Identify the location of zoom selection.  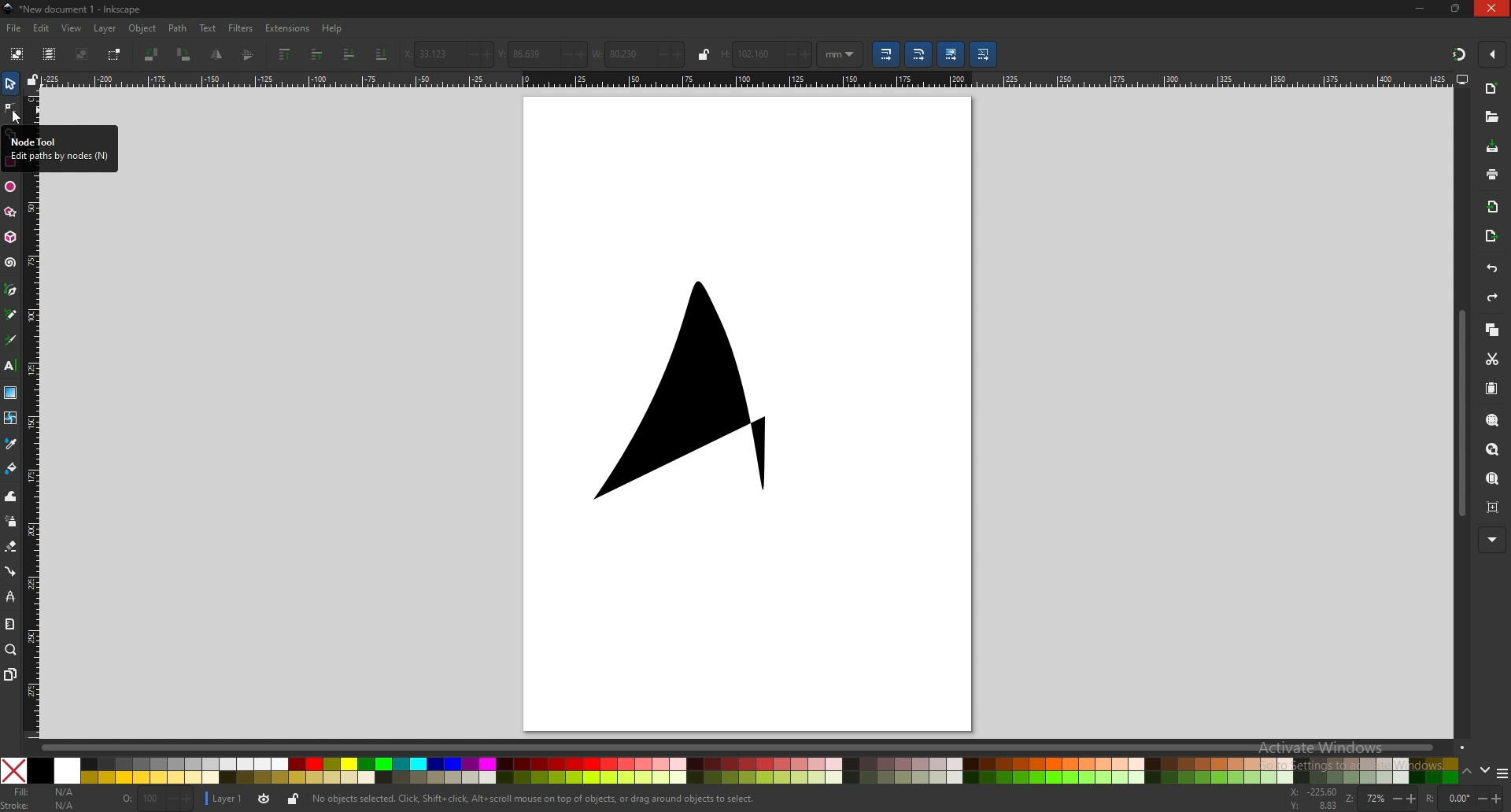
(1493, 420).